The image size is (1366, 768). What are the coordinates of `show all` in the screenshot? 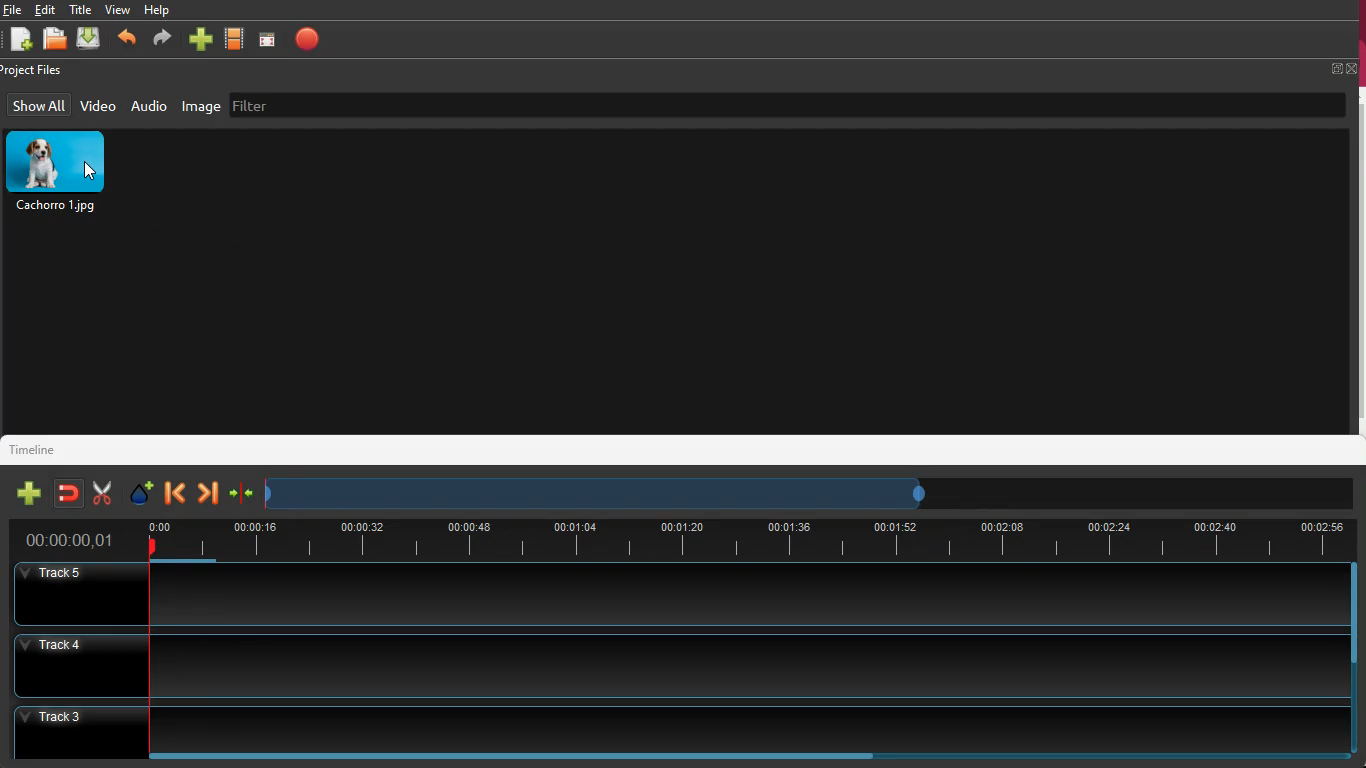 It's located at (39, 105).